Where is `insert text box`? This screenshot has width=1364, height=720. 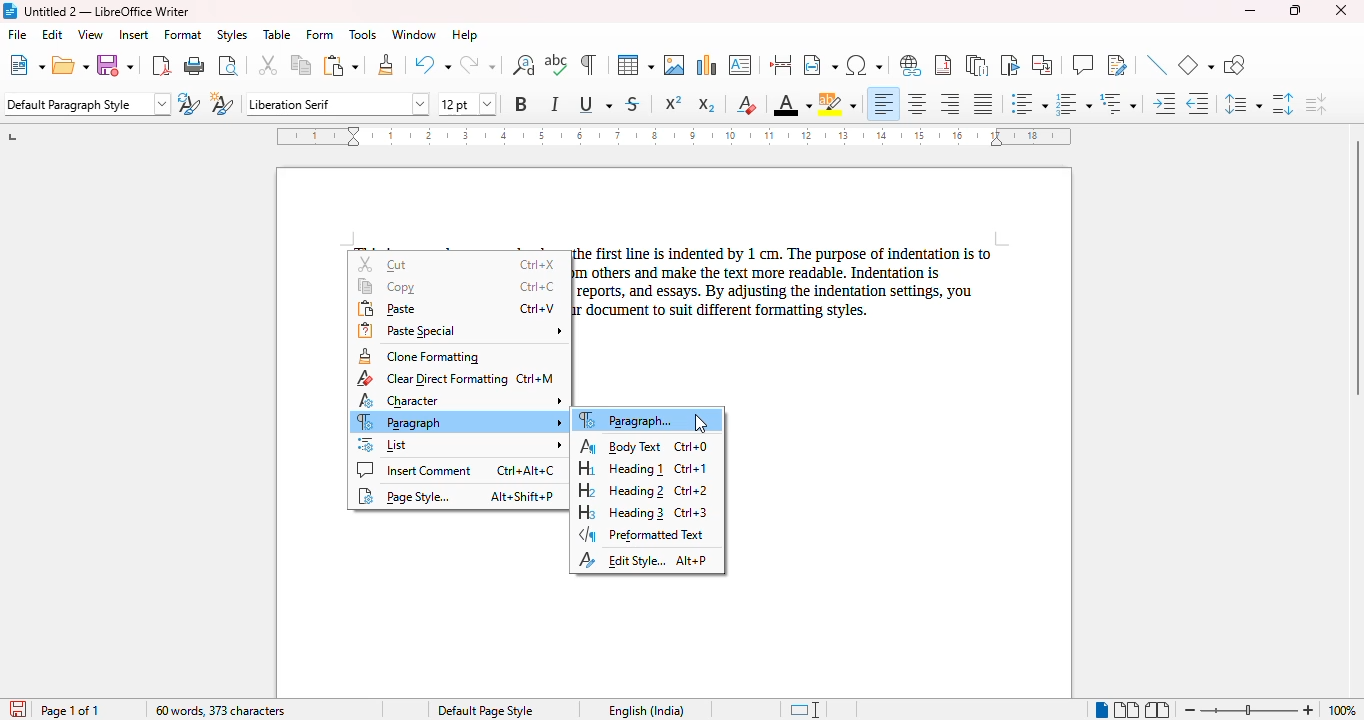
insert text box is located at coordinates (742, 65).